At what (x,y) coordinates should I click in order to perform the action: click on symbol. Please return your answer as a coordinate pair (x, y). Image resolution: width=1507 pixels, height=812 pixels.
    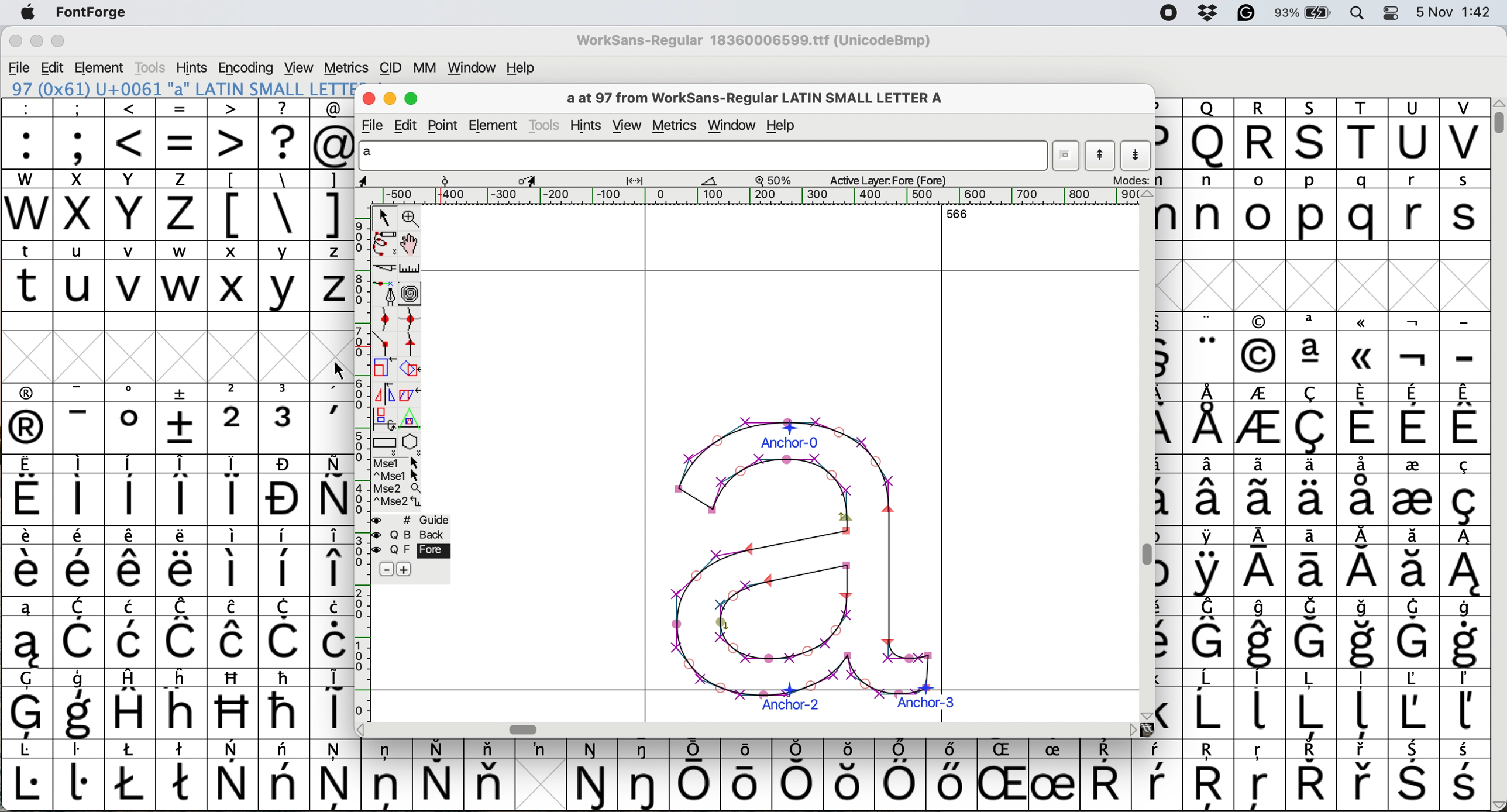
    Looking at the image, I should click on (28, 704).